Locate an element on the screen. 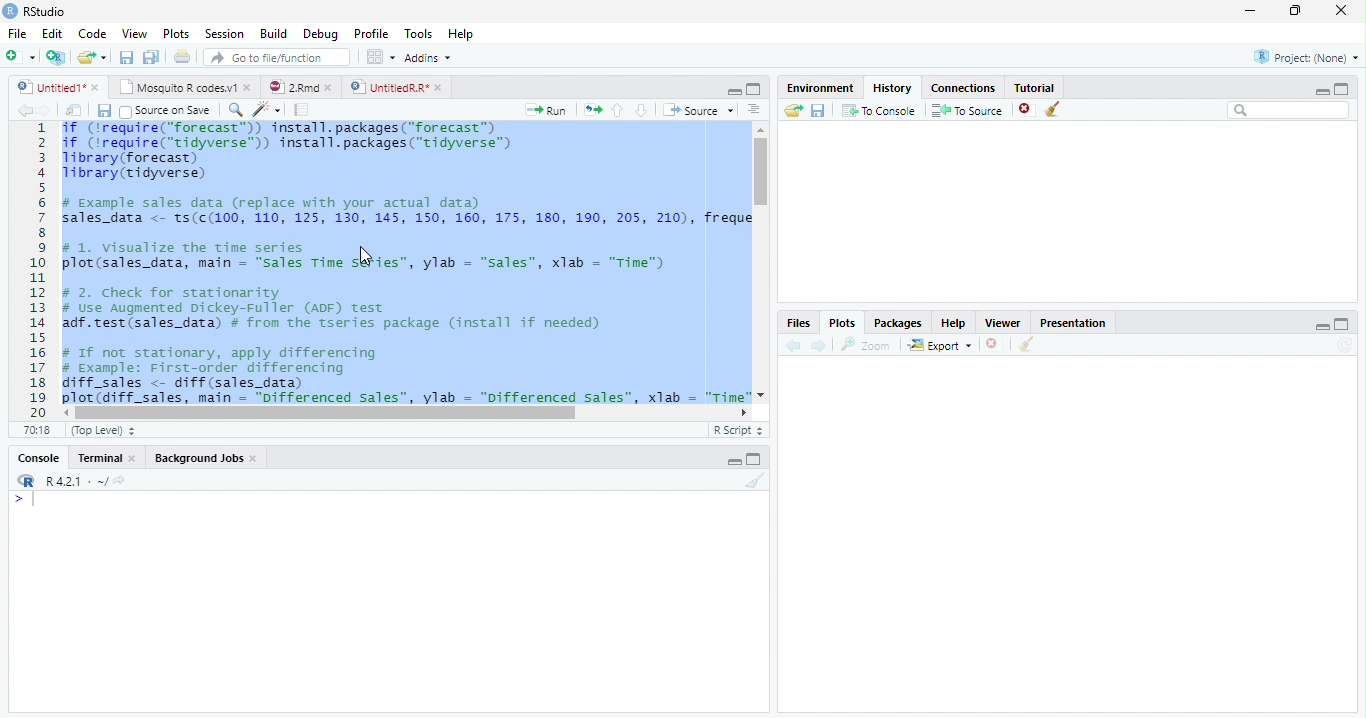 Image resolution: width=1366 pixels, height=718 pixels. Previous is located at coordinates (22, 111).